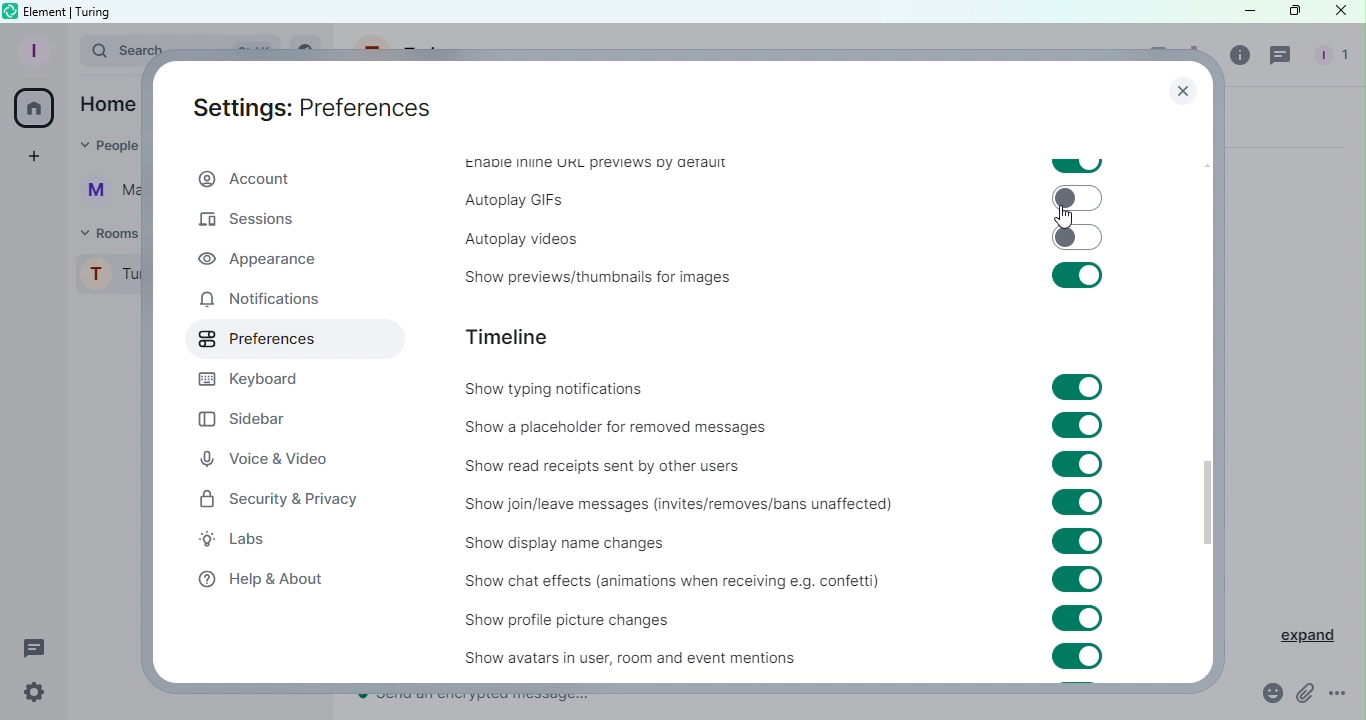  What do you see at coordinates (1063, 215) in the screenshot?
I see `Cursor` at bounding box center [1063, 215].